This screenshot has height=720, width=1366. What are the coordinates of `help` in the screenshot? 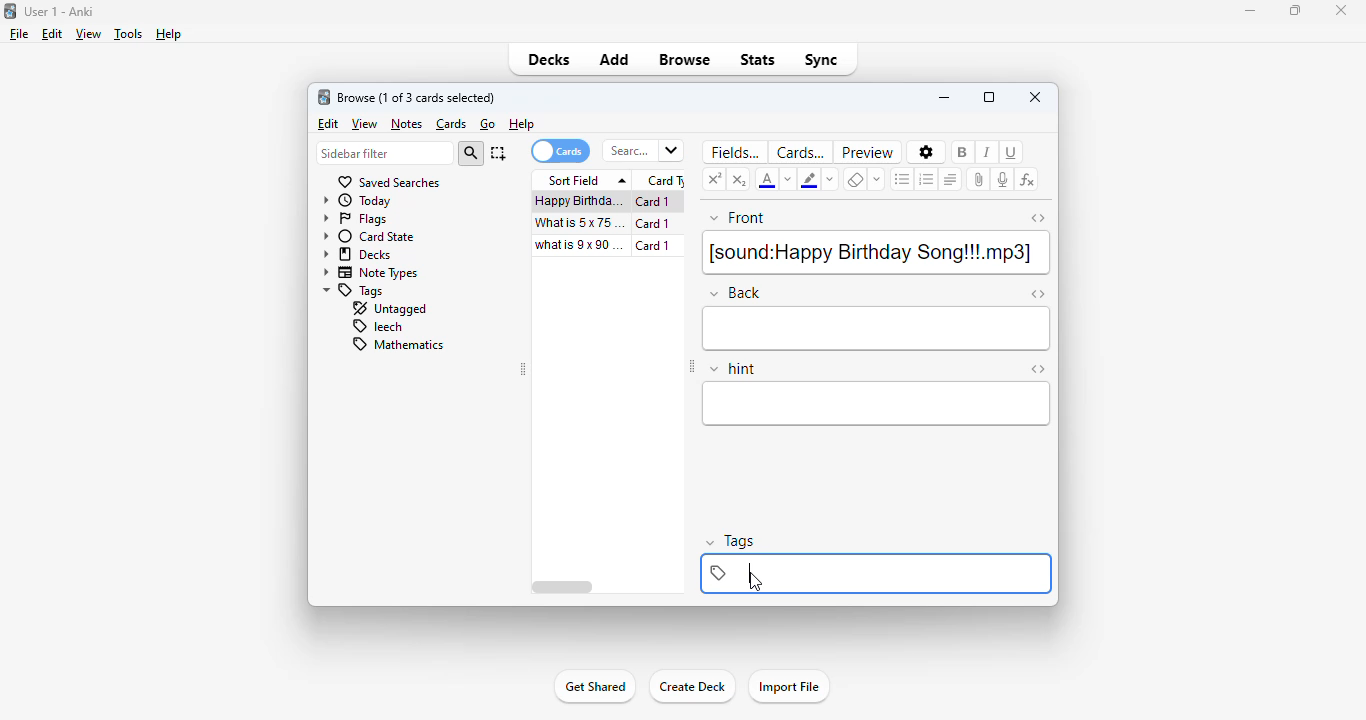 It's located at (169, 34).